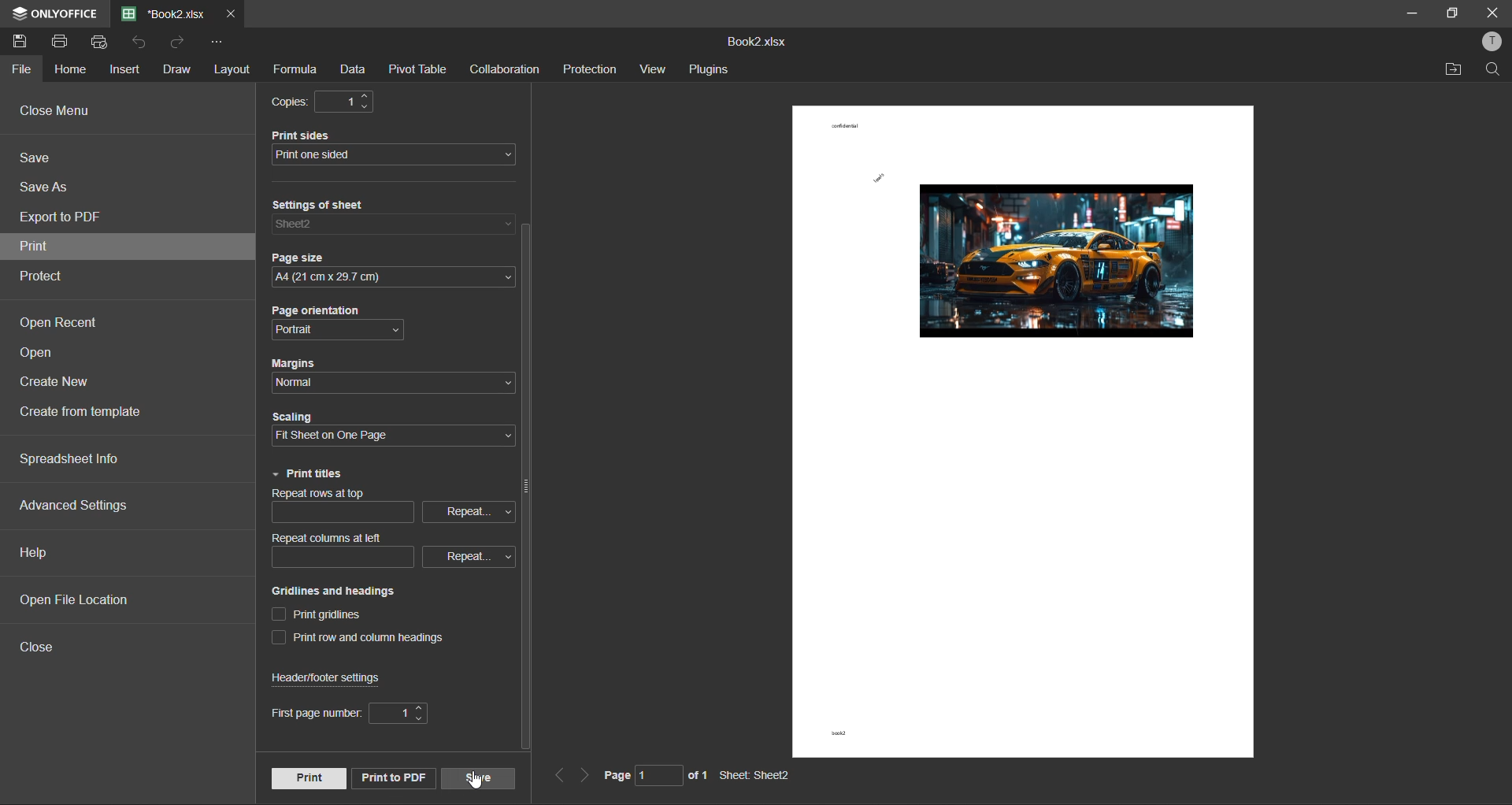  I want to click on home, so click(69, 69).